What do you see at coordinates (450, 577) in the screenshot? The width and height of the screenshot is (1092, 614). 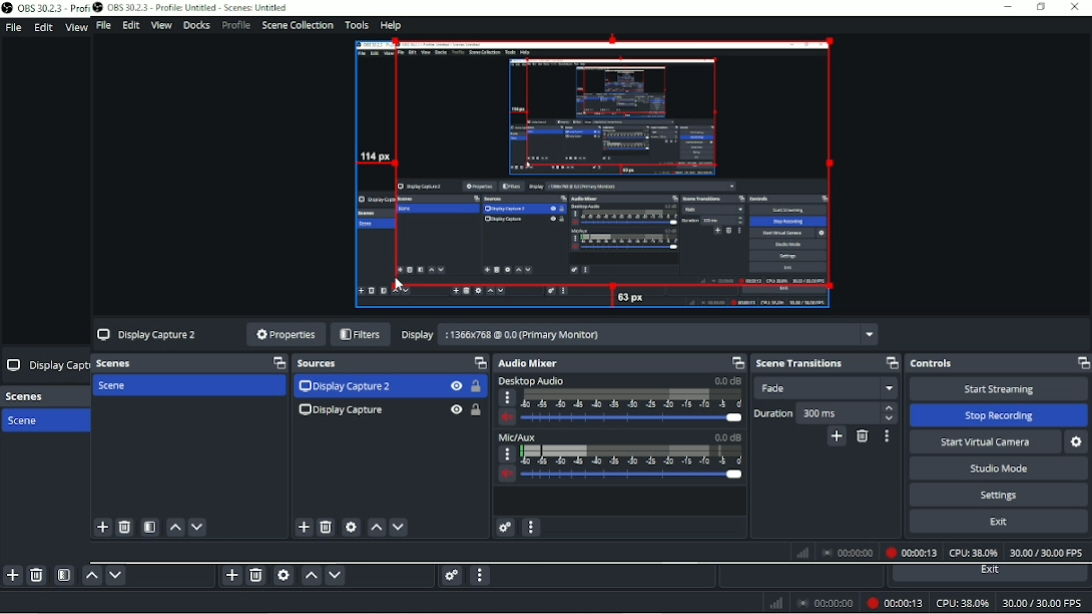 I see `Advanced audio properties` at bounding box center [450, 577].